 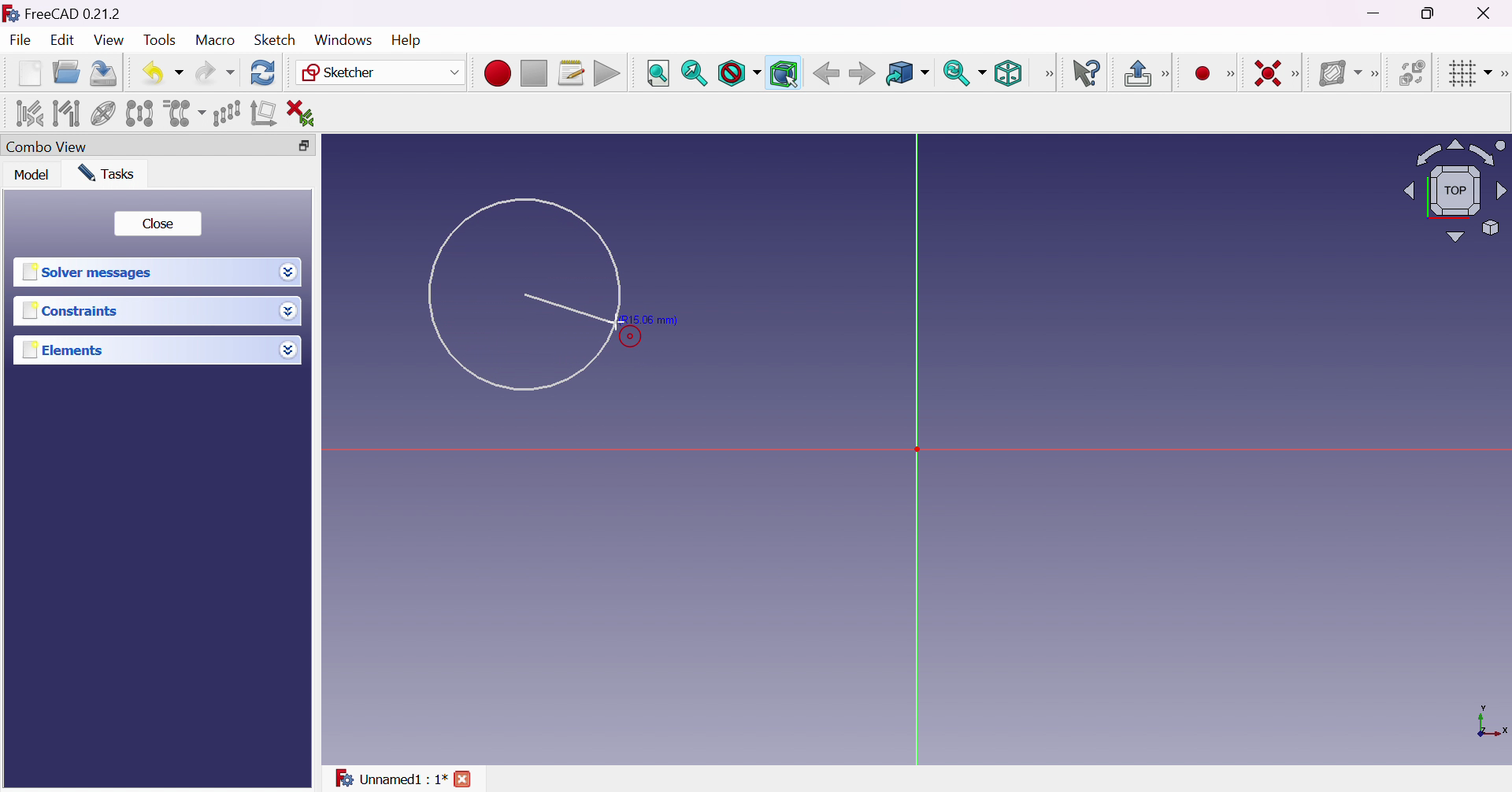 I want to click on x, y axis, so click(x=1490, y=723).